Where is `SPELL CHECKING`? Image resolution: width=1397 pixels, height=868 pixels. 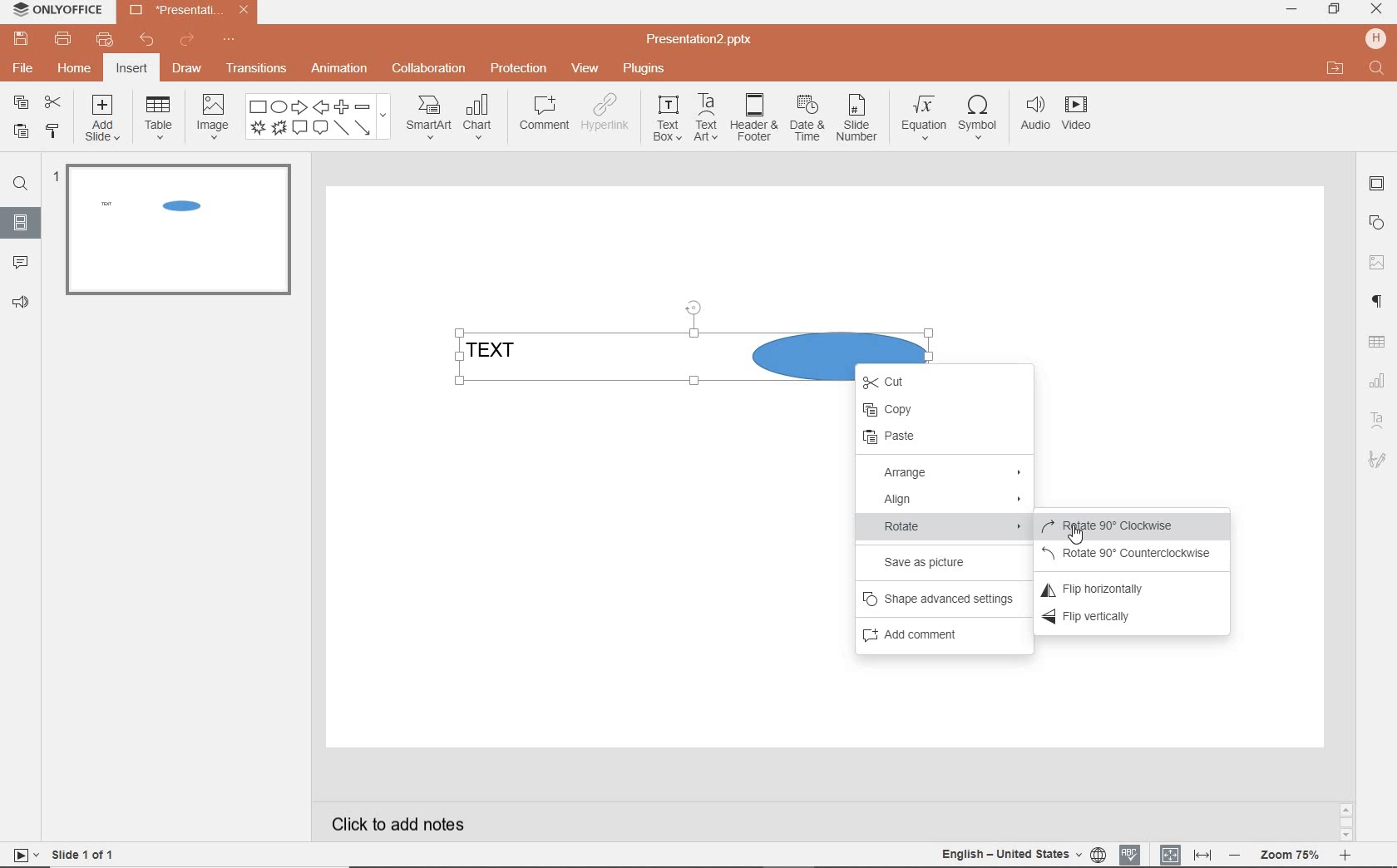 SPELL CHECKING is located at coordinates (1132, 854).